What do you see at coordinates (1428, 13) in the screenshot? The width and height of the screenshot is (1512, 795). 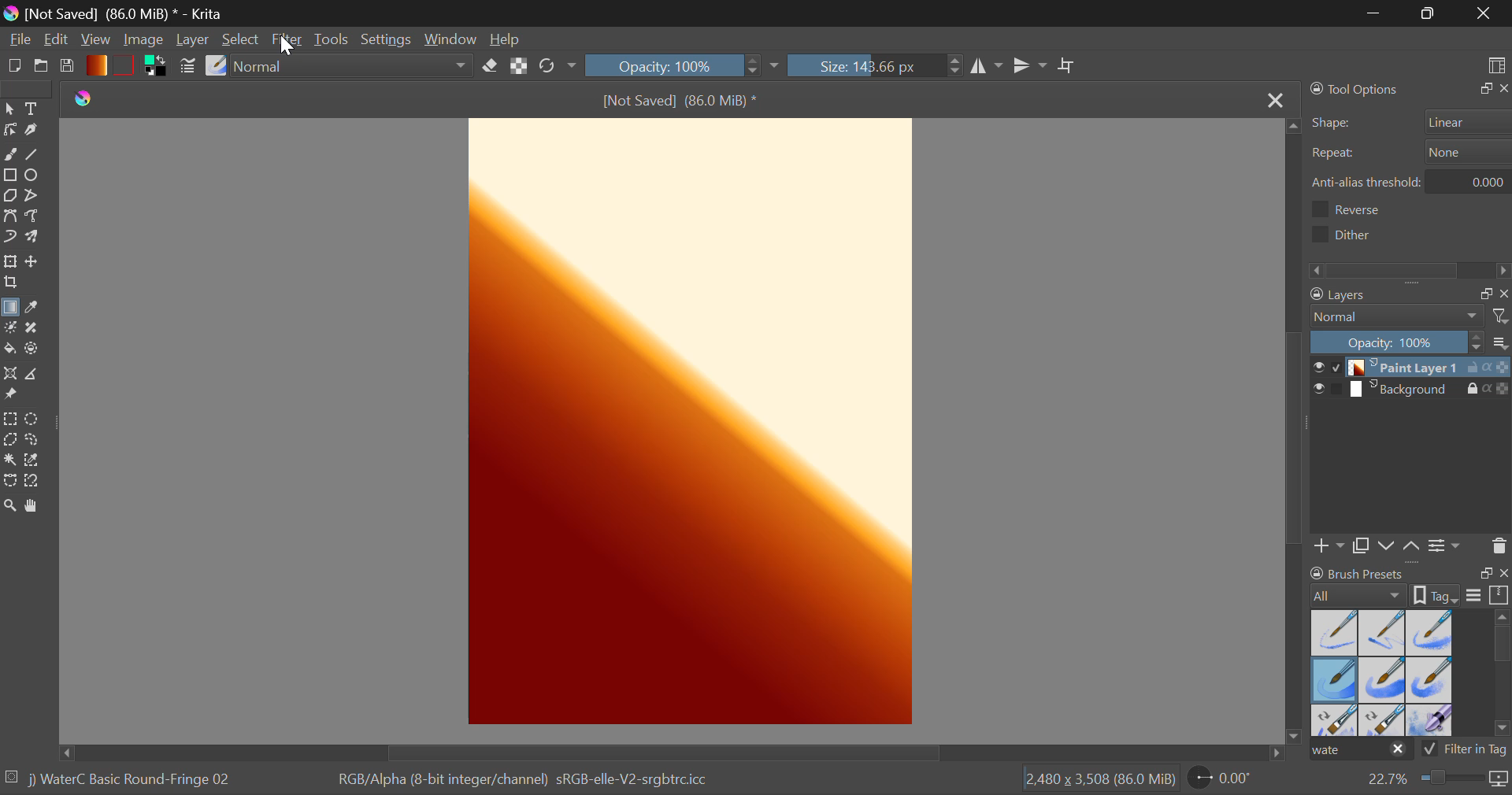 I see `Minimize` at bounding box center [1428, 13].